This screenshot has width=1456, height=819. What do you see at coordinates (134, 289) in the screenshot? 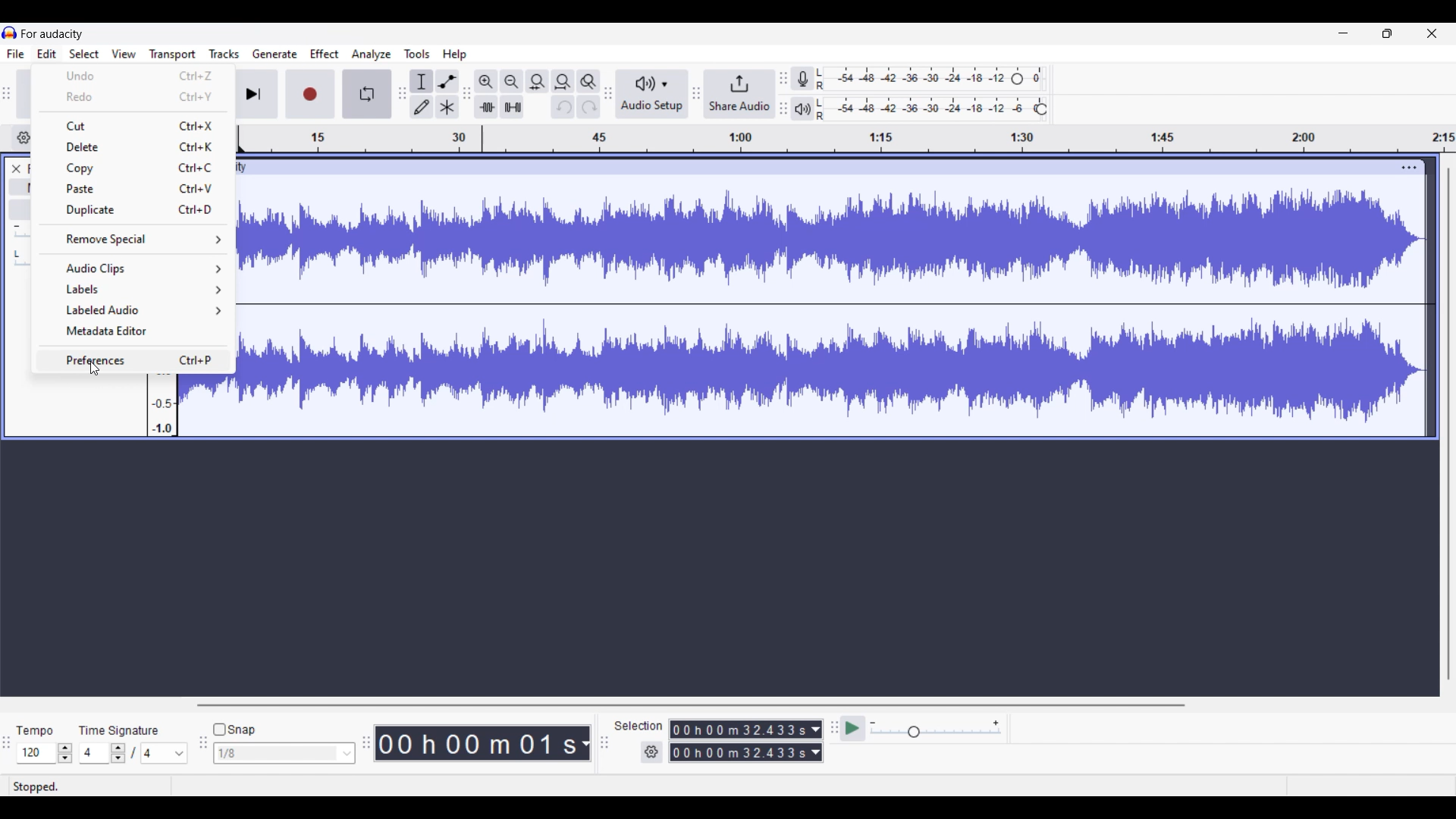
I see `Label options` at bounding box center [134, 289].